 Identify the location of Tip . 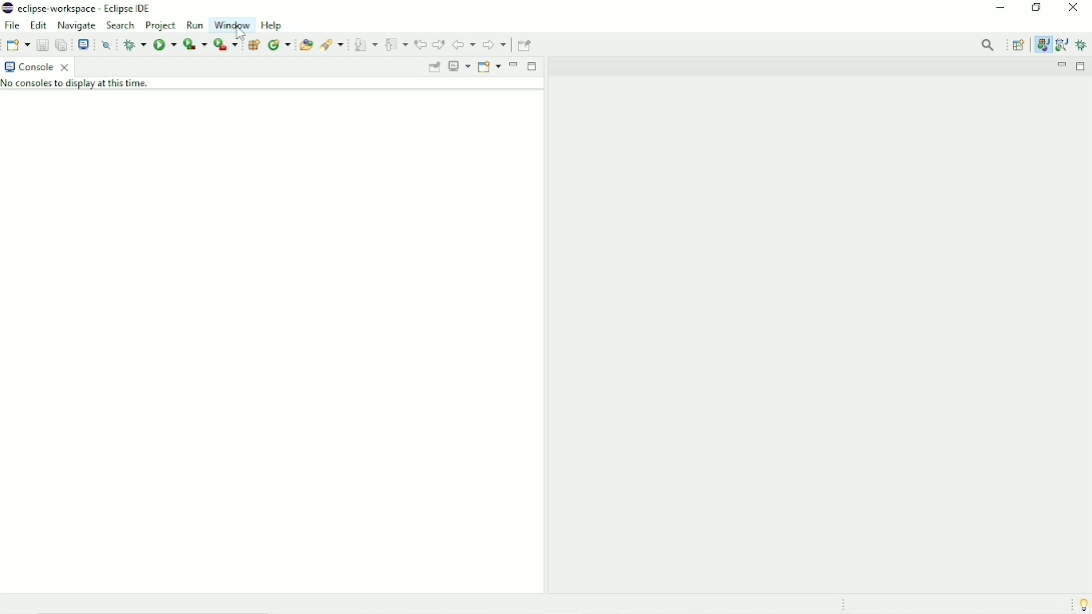
(1081, 603).